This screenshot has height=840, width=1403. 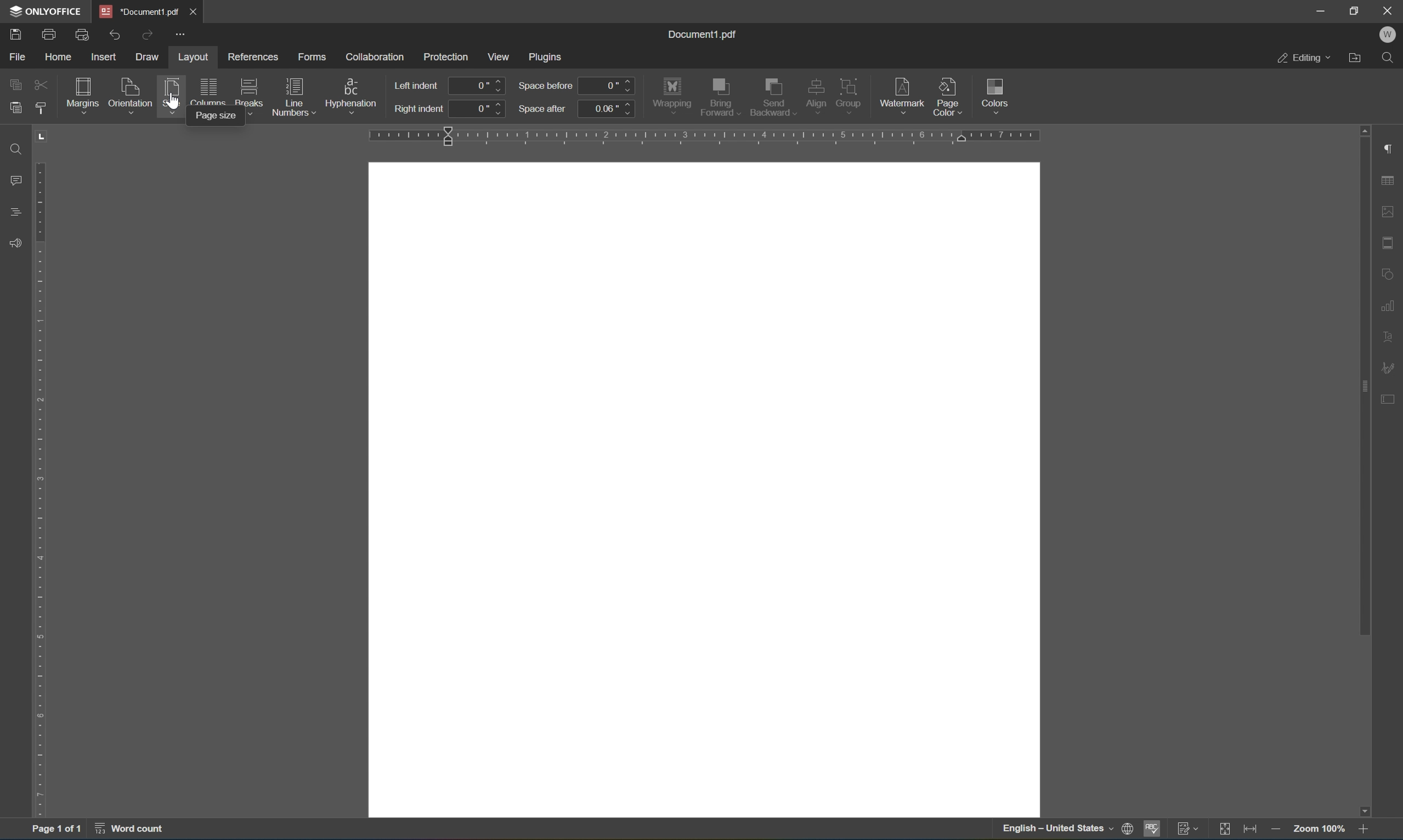 What do you see at coordinates (192, 55) in the screenshot?
I see `layout` at bounding box center [192, 55].